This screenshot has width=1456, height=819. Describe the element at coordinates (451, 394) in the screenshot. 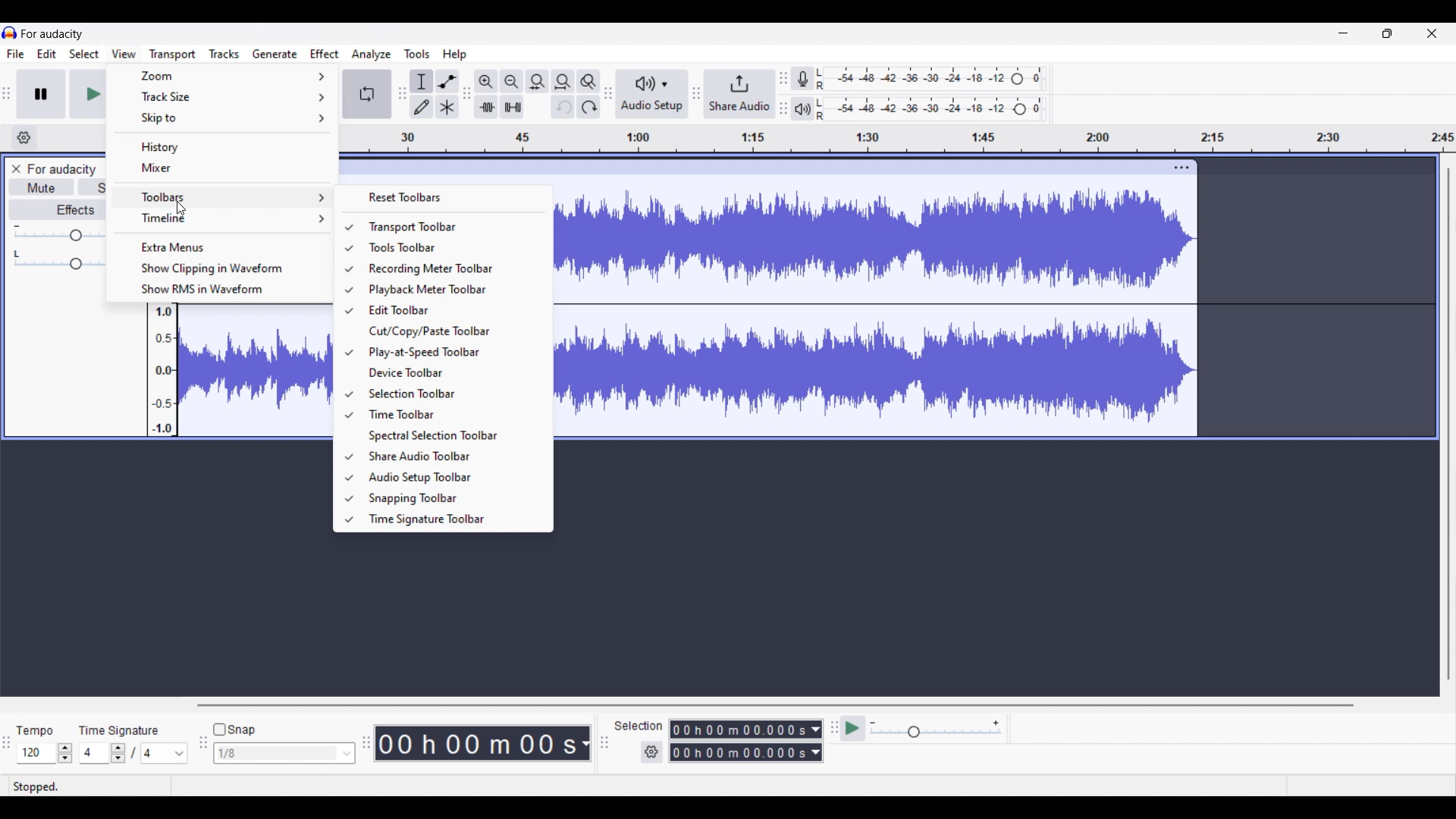

I see `Selection toolbar` at that location.